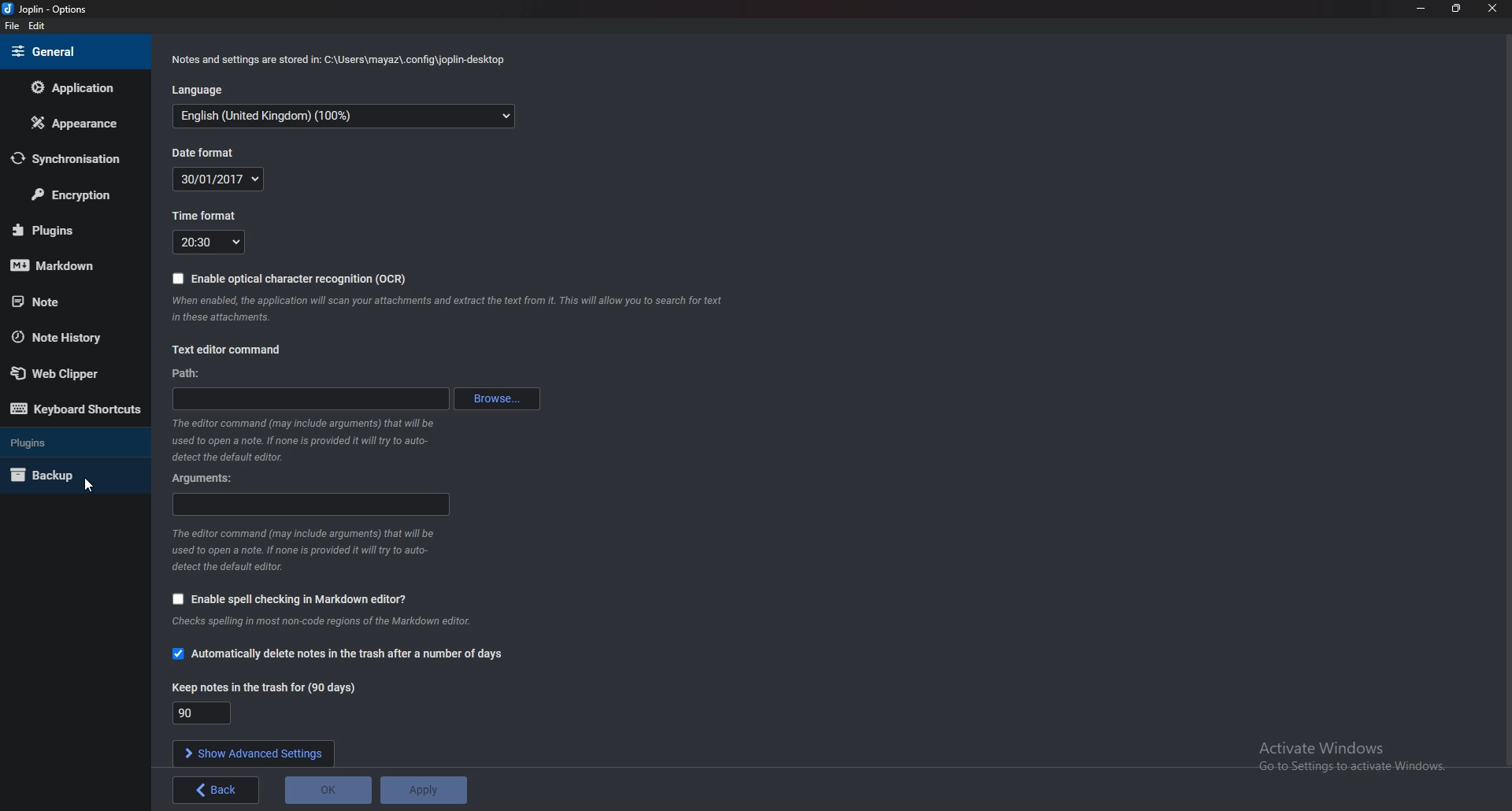  Describe the element at coordinates (421, 791) in the screenshot. I see `back` at that location.